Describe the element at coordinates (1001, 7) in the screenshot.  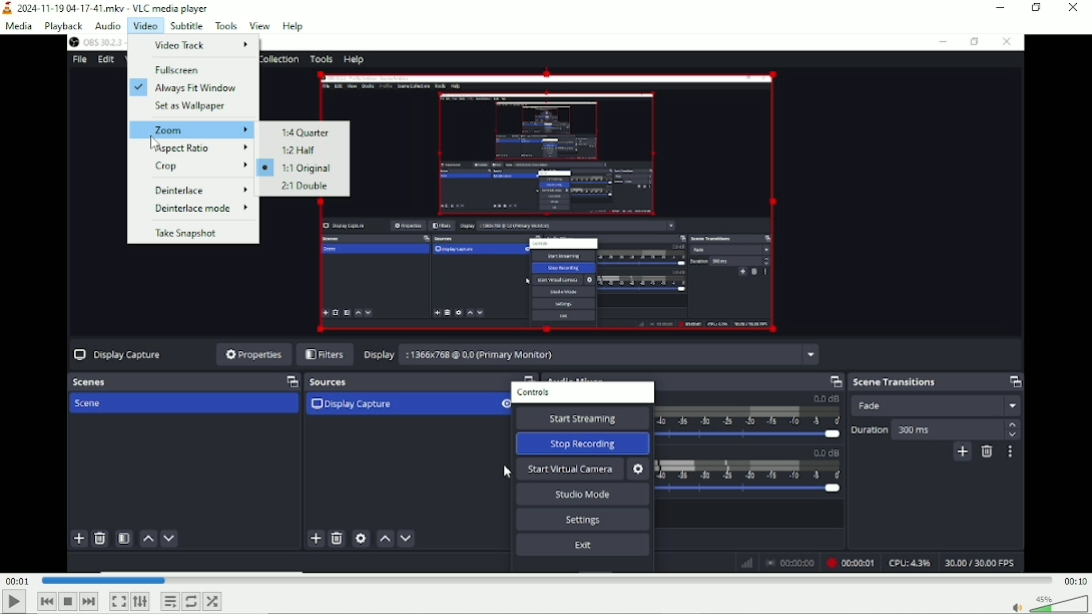
I see `Minimize` at that location.